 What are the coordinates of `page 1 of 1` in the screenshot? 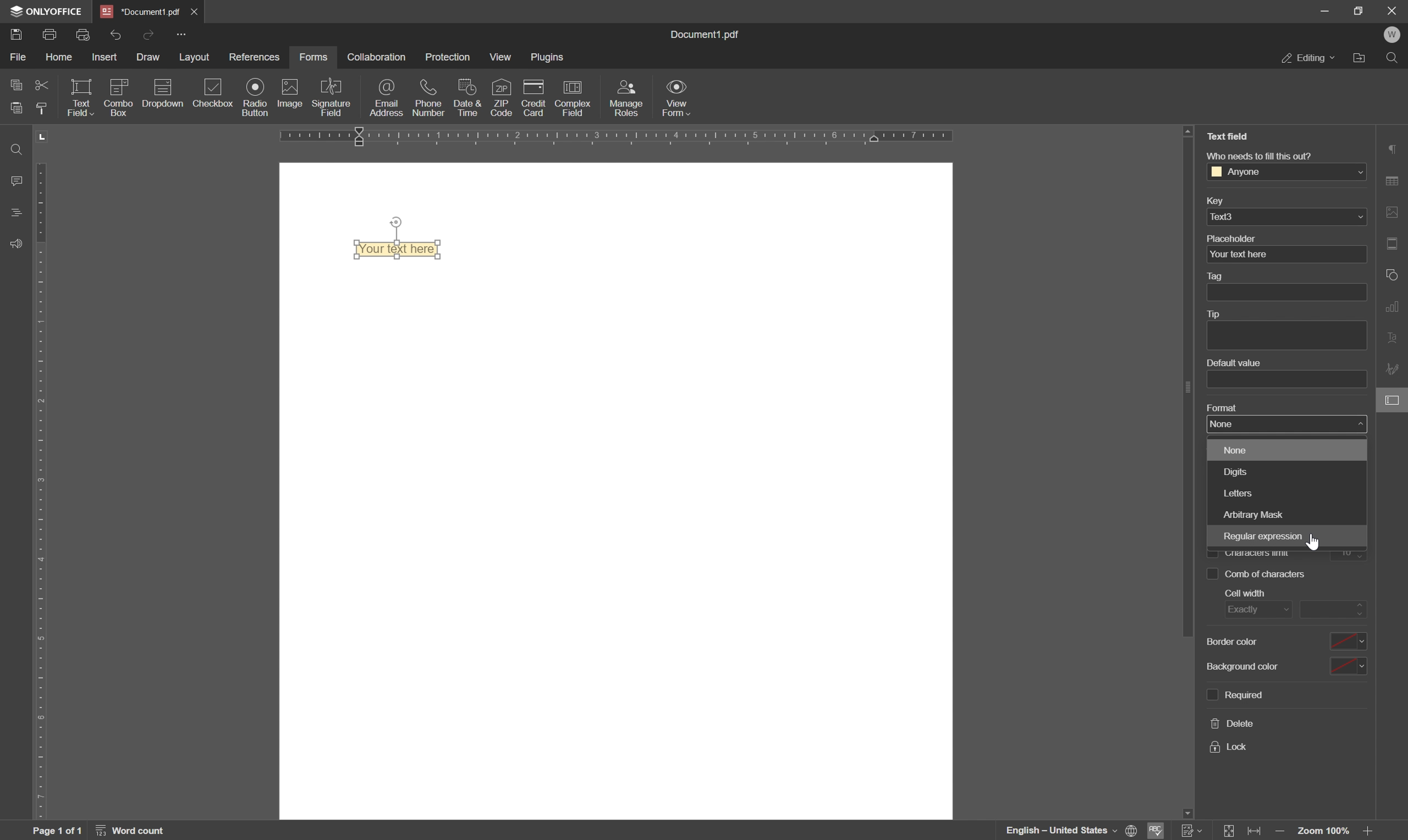 It's located at (58, 831).